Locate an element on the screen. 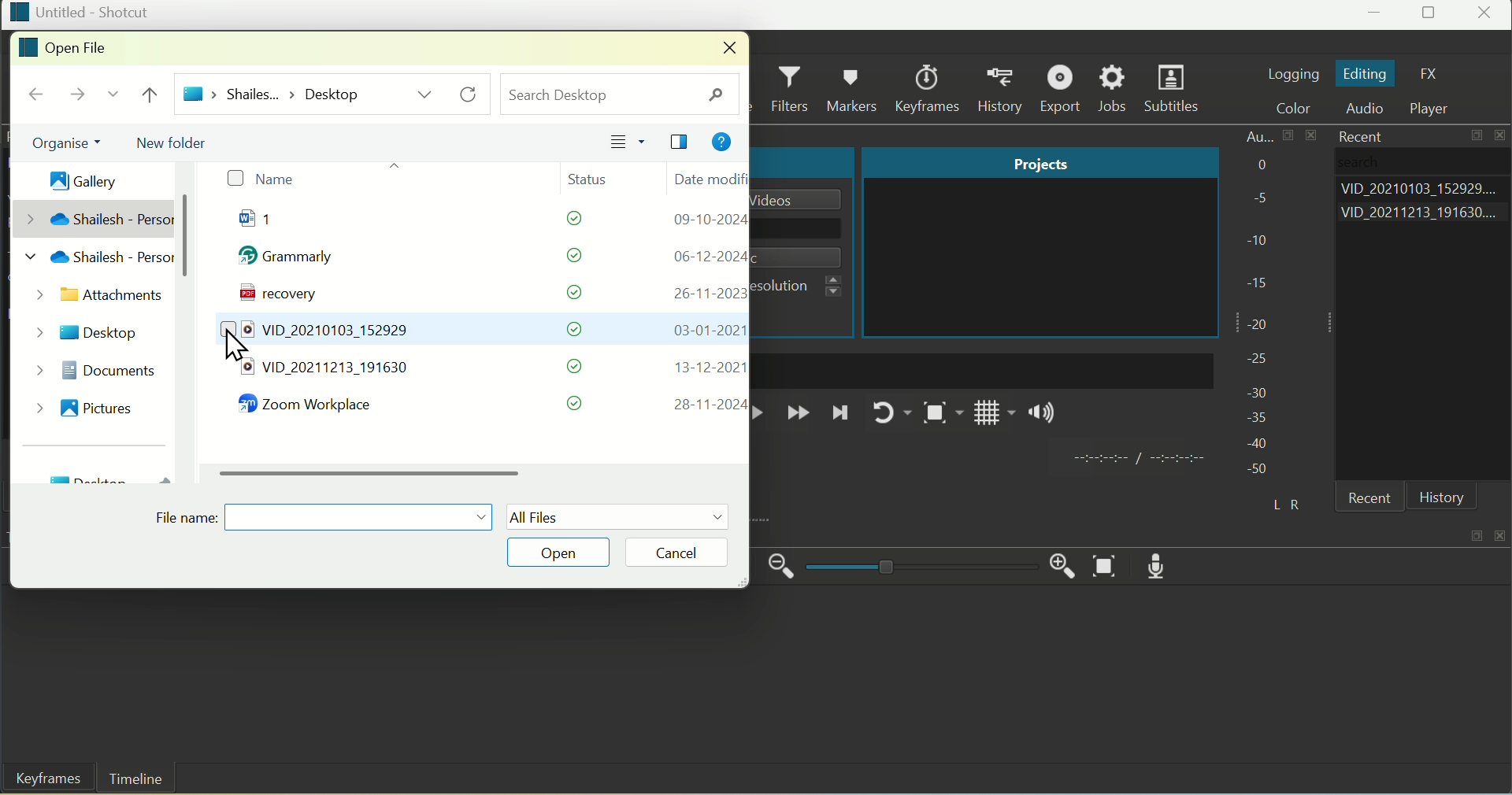  status is located at coordinates (566, 292).